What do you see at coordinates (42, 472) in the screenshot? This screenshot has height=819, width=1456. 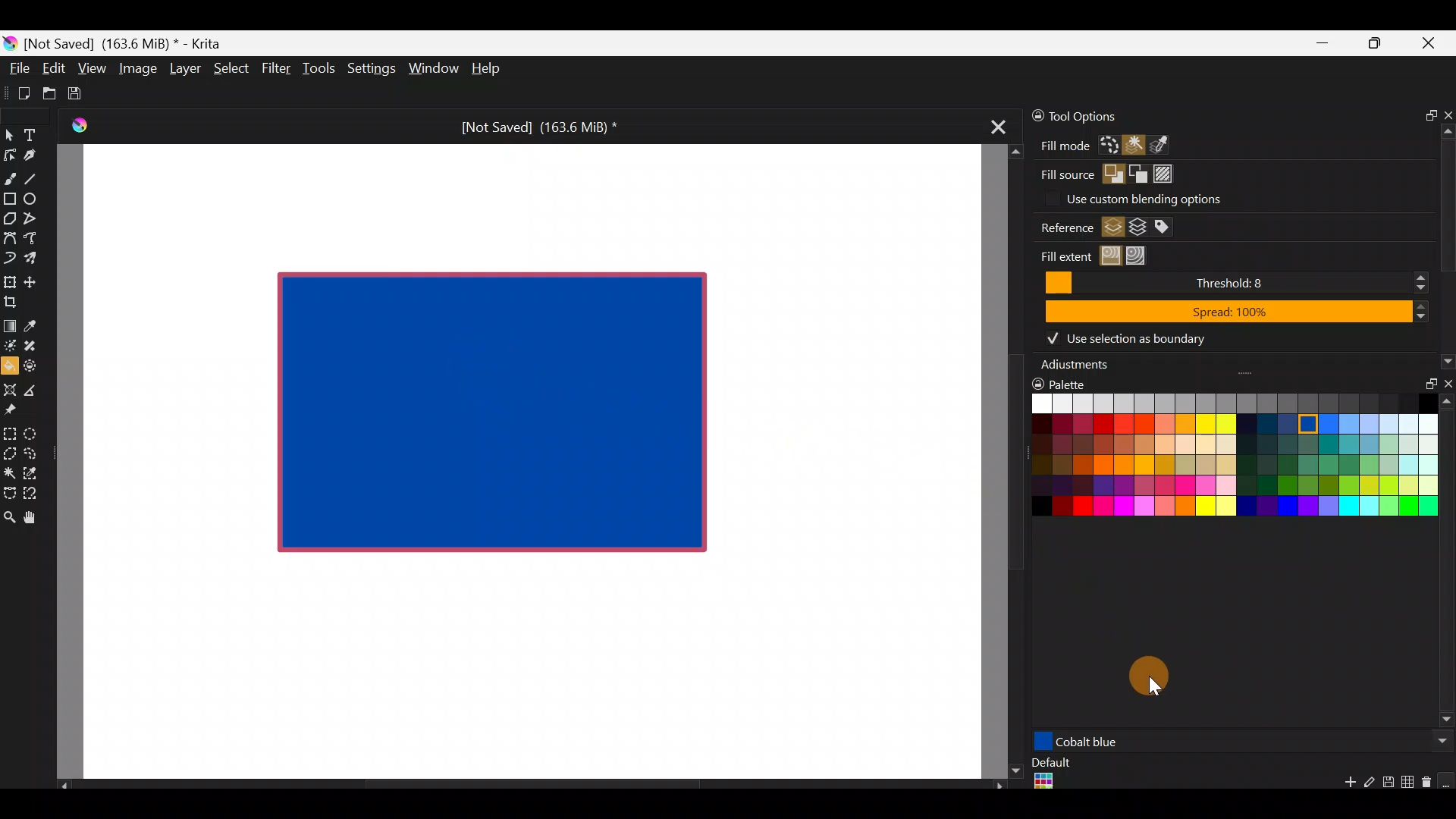 I see `Similar colour selection tool` at bounding box center [42, 472].